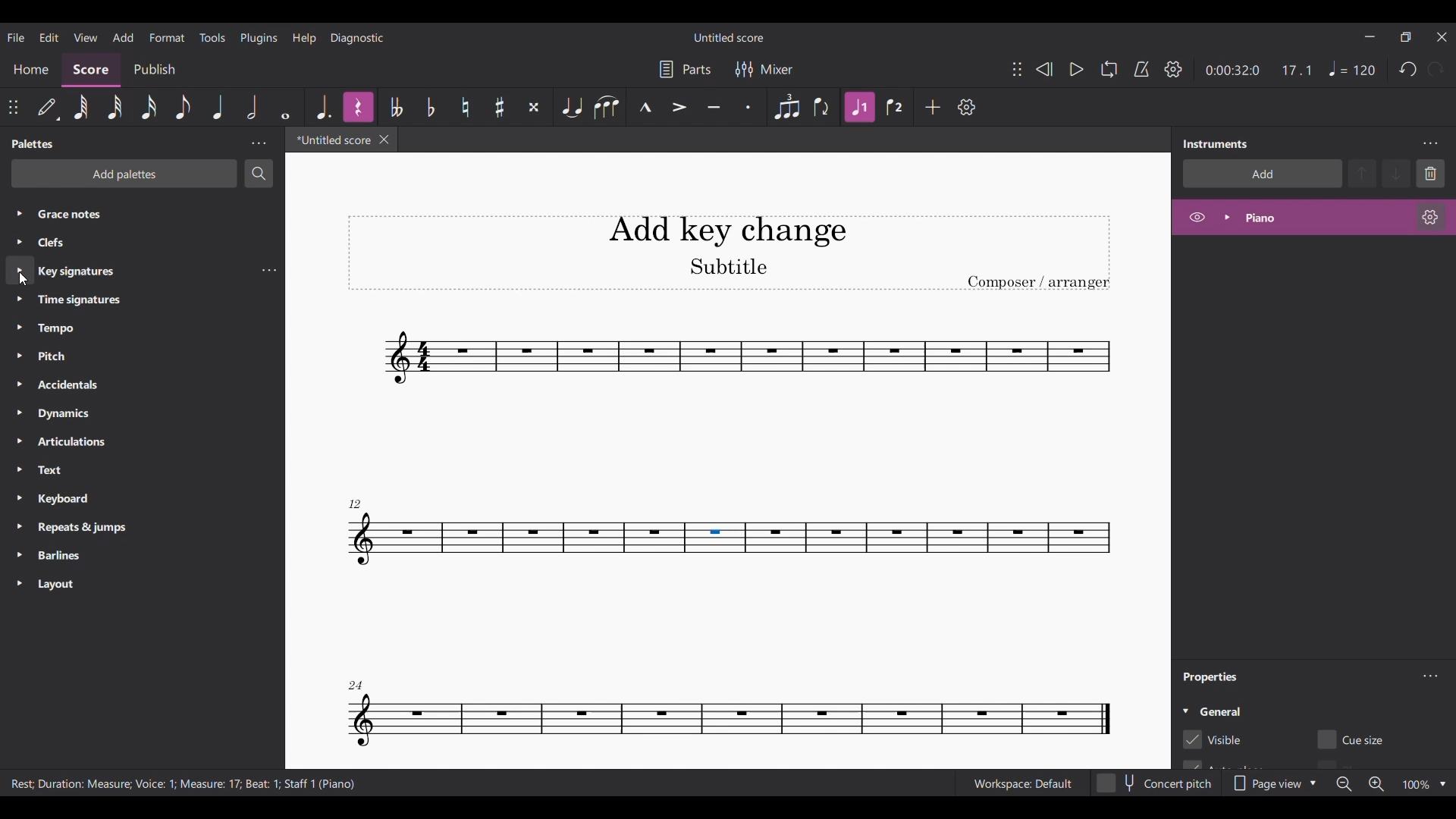 Image resolution: width=1456 pixels, height=819 pixels. Describe the element at coordinates (48, 105) in the screenshot. I see `Default` at that location.